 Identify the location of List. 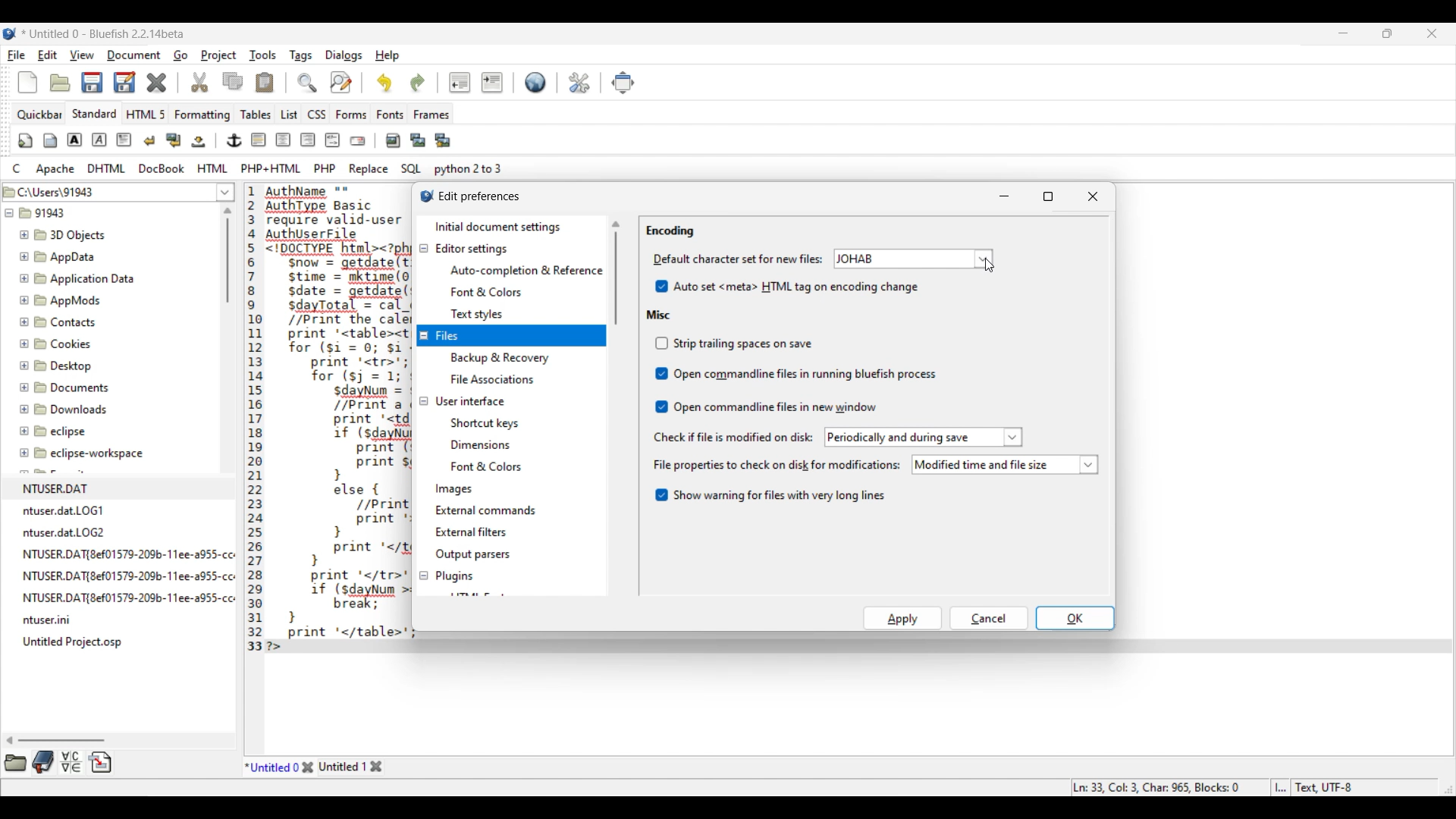
(290, 115).